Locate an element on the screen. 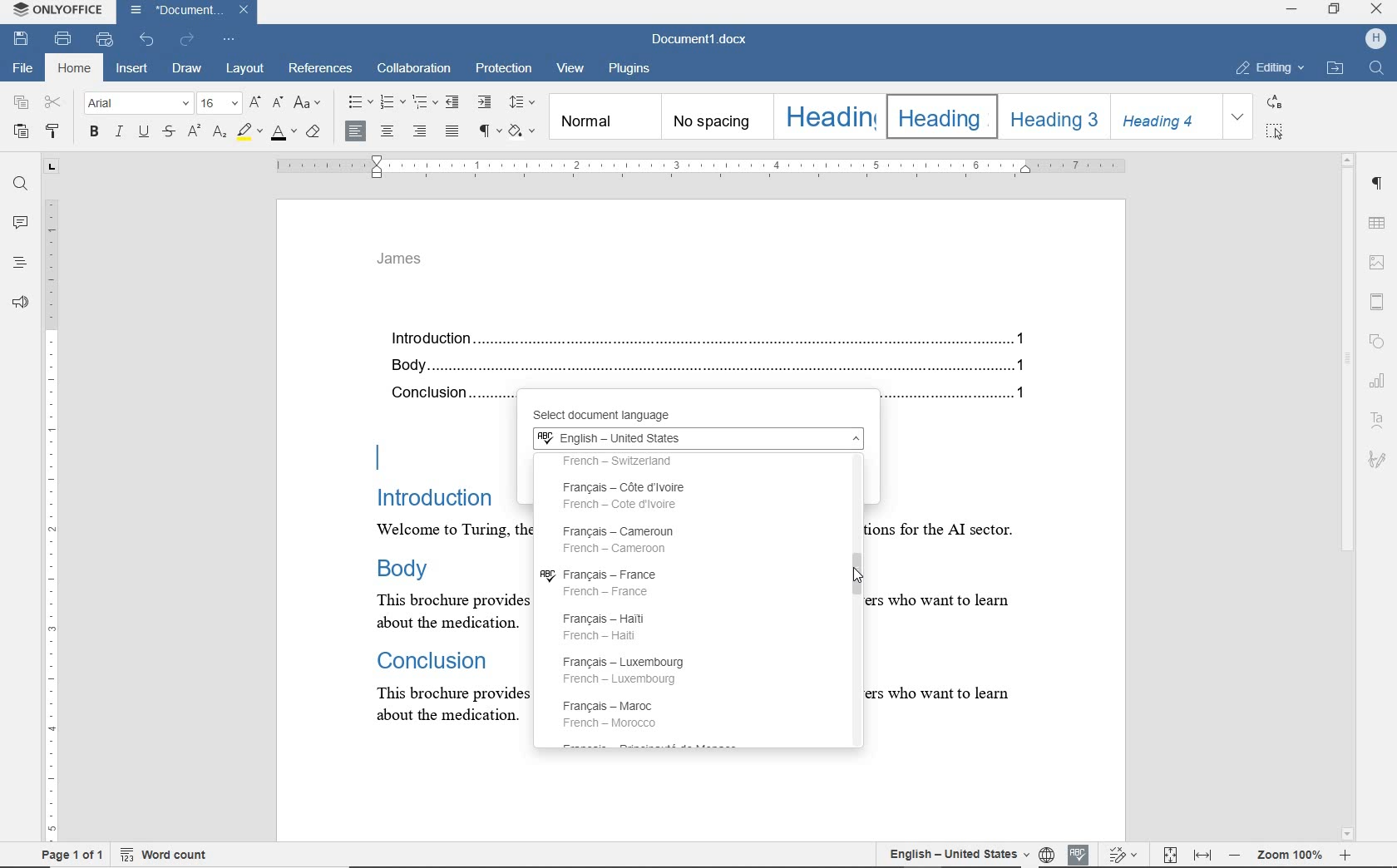 This screenshot has width=1397, height=868. font color is located at coordinates (285, 131).